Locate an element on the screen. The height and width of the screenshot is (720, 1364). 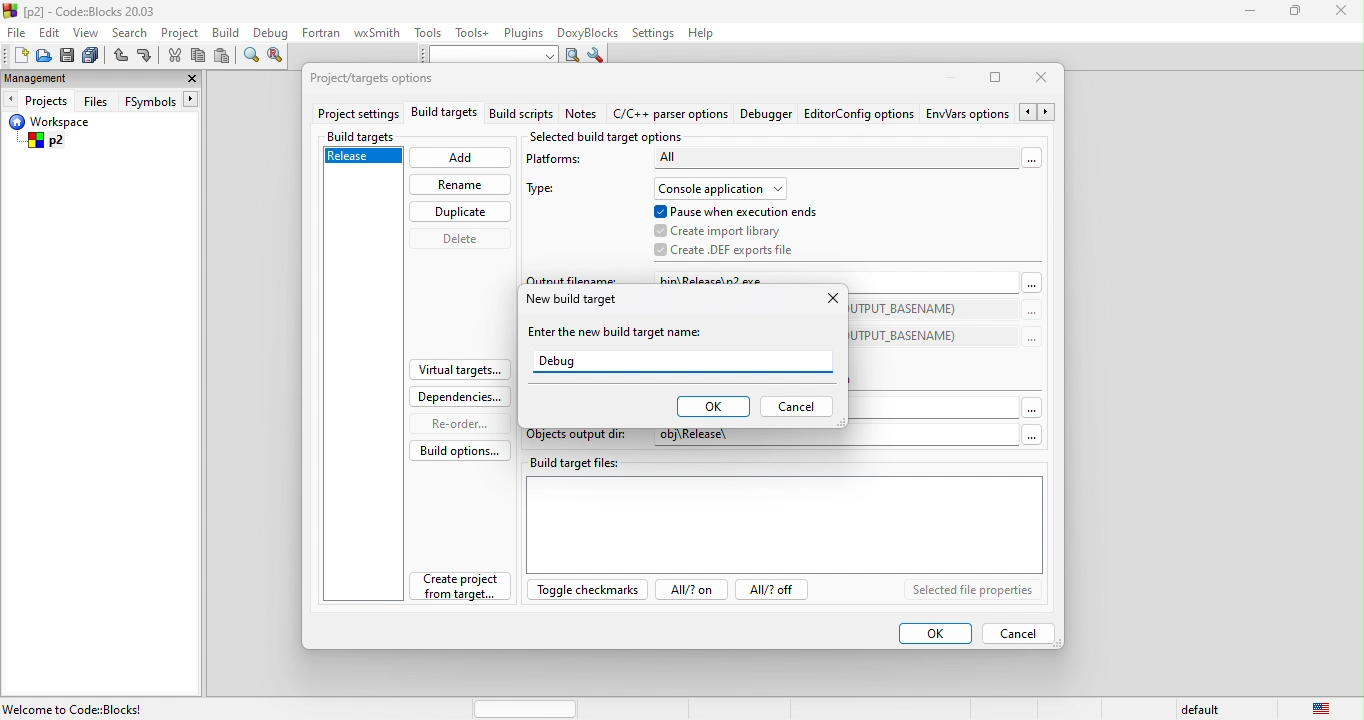
ok is located at coordinates (711, 407).